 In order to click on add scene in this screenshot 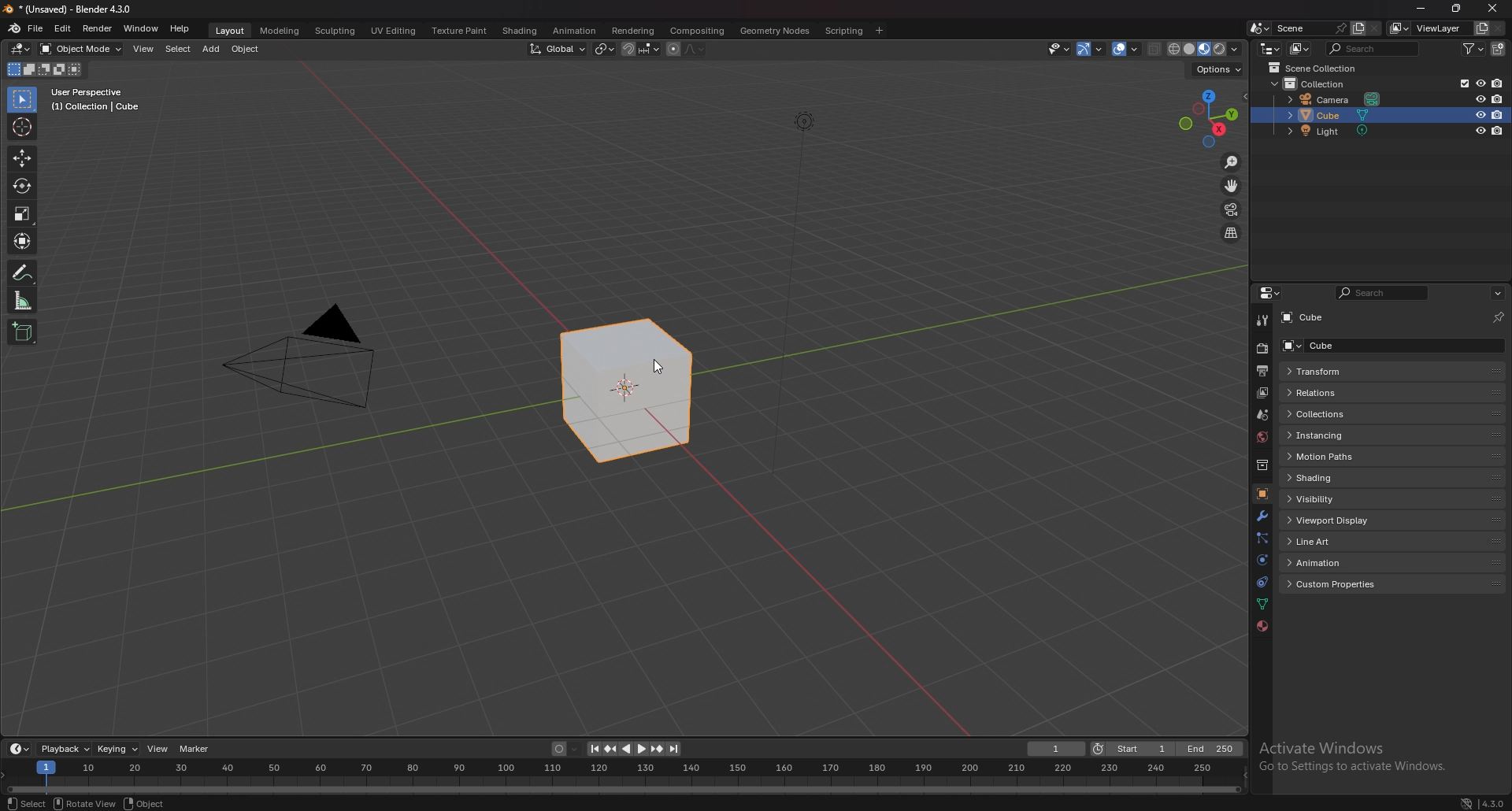, I will do `click(1358, 28)`.